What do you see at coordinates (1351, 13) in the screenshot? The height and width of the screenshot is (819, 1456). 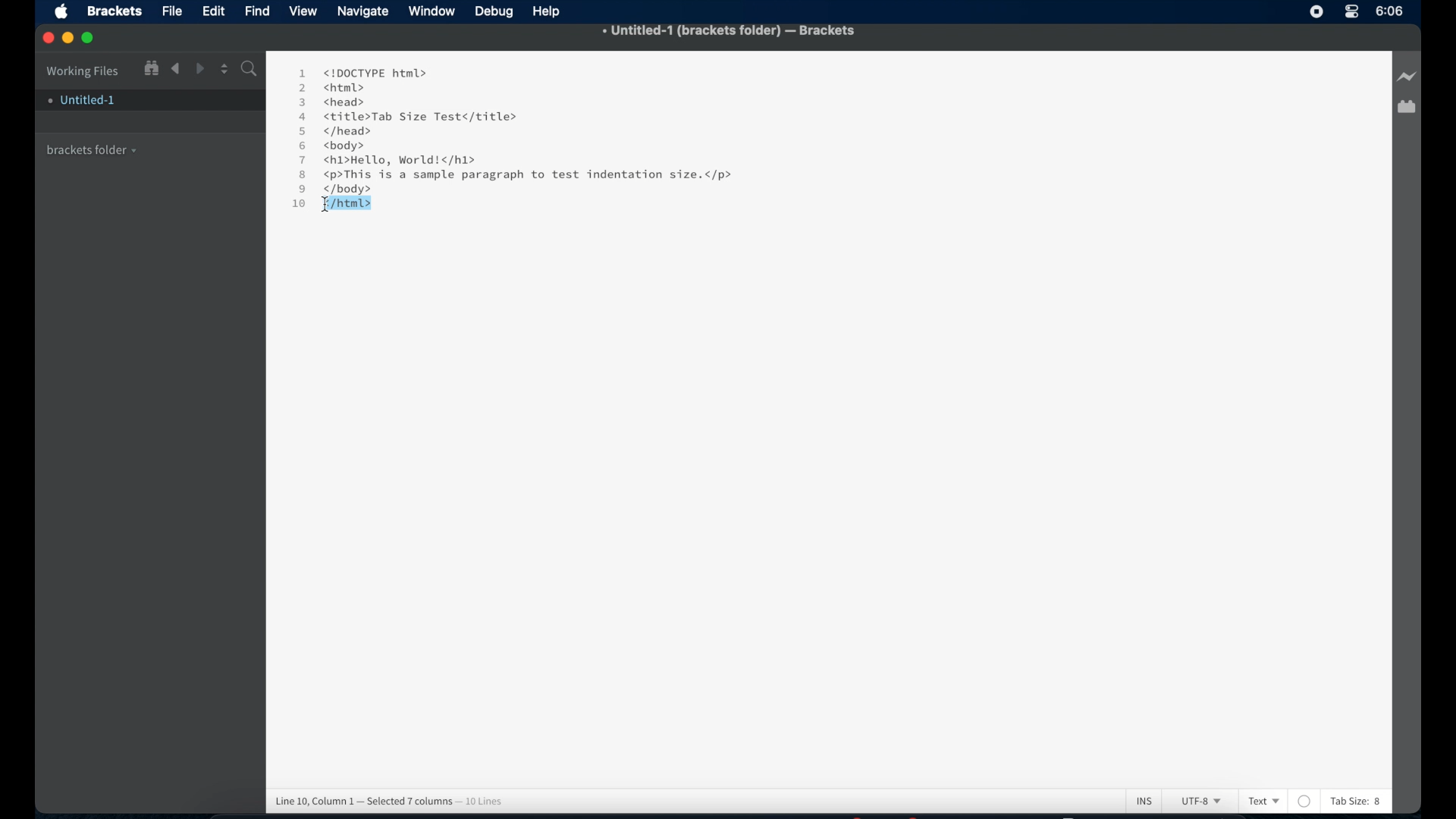 I see `Recording` at bounding box center [1351, 13].